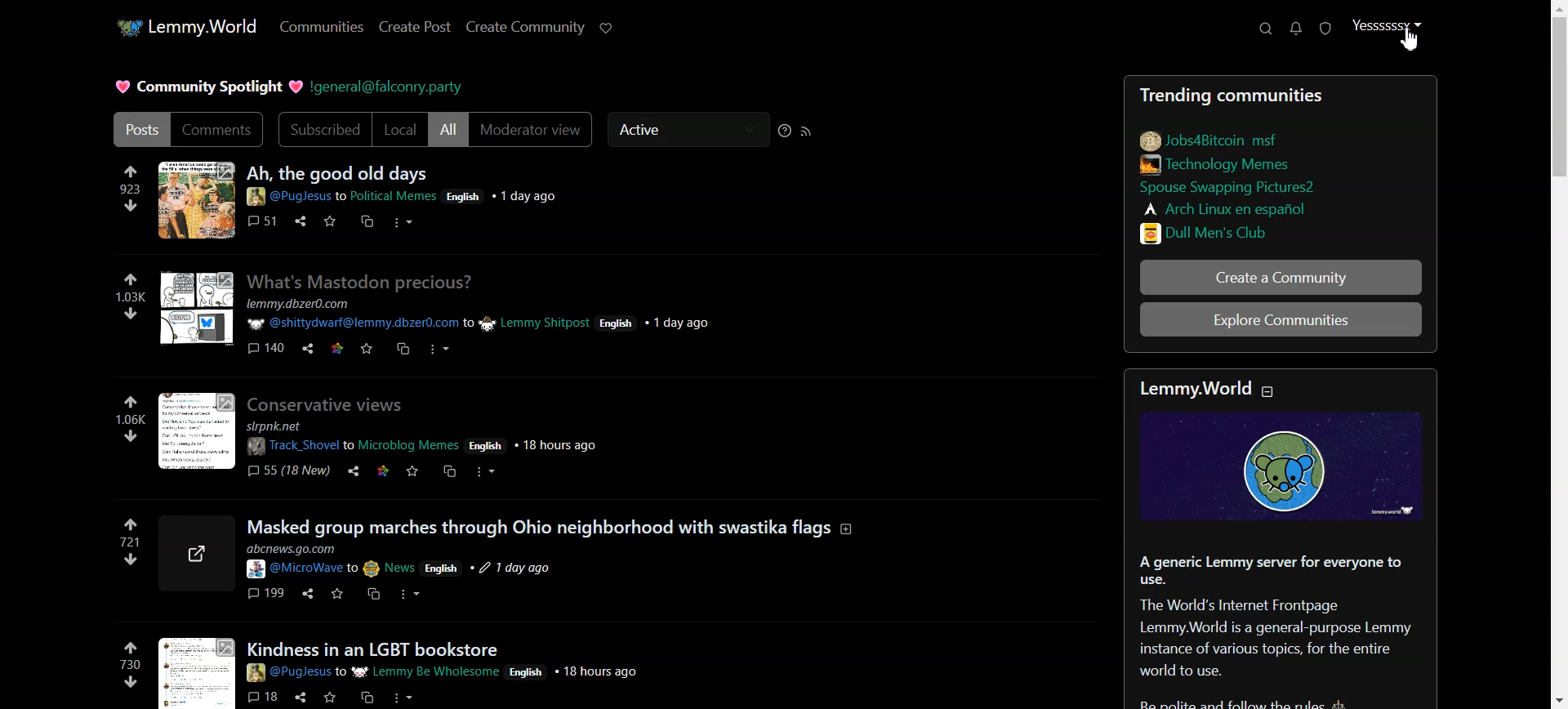  I want to click on cross share, so click(448, 471).